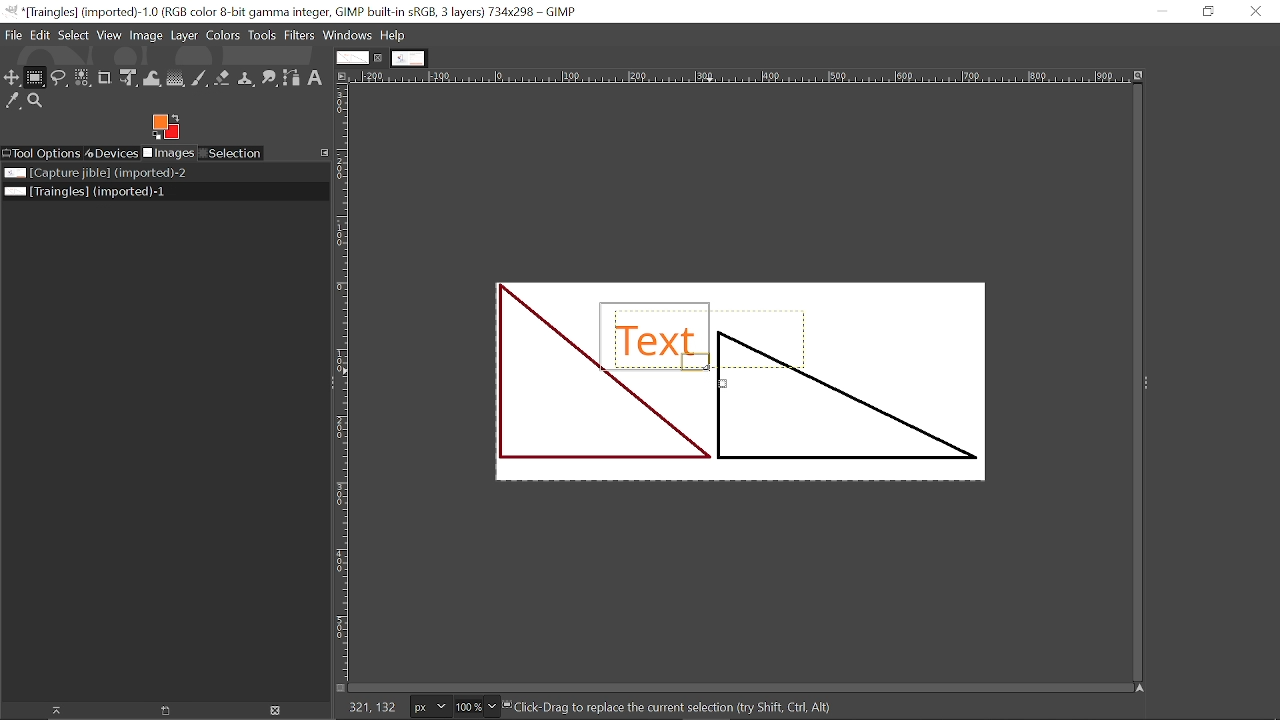 This screenshot has width=1280, height=720. I want to click on Open new display for this image, so click(165, 711).